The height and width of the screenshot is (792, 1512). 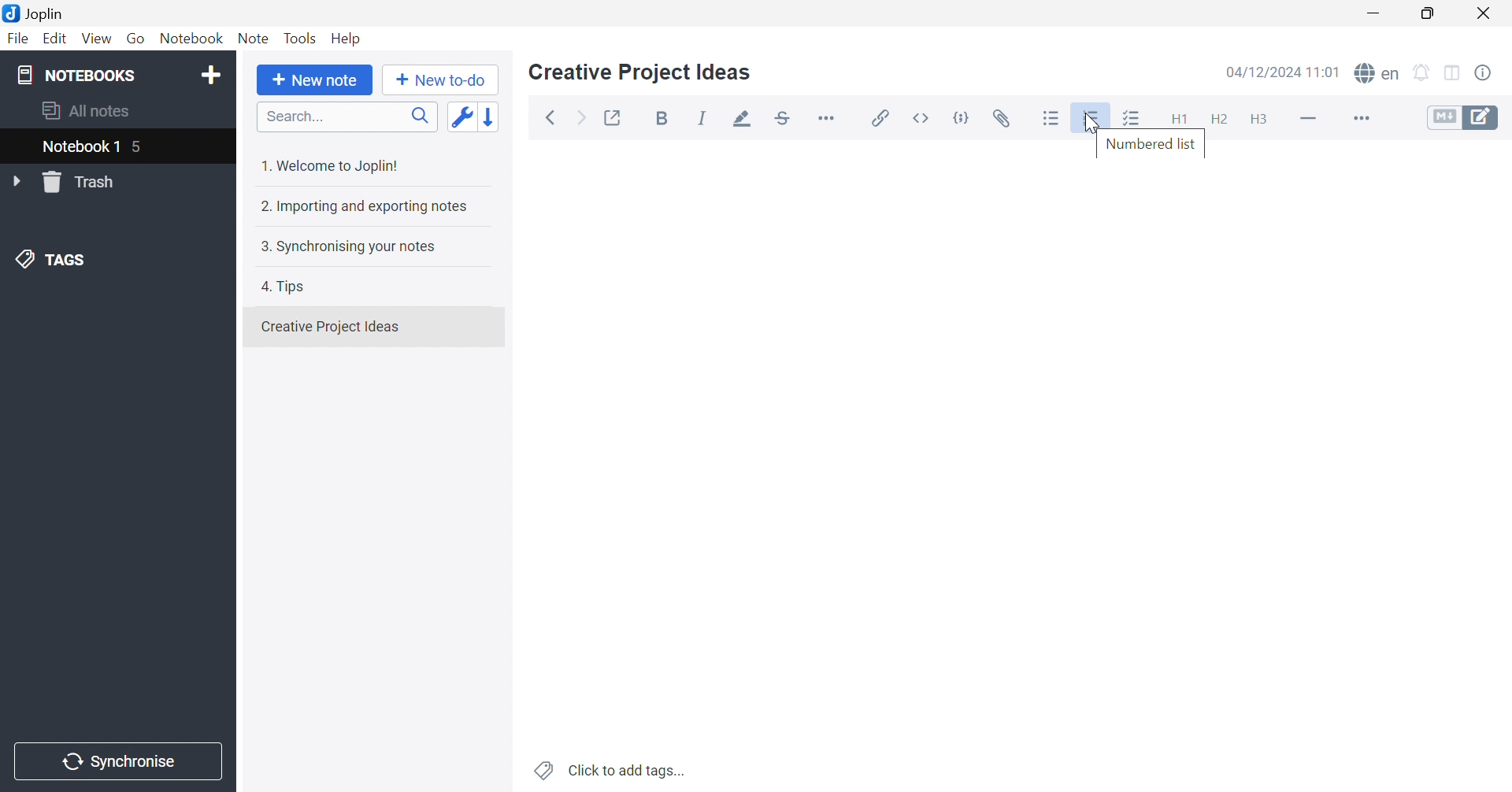 I want to click on Go, so click(x=138, y=38).